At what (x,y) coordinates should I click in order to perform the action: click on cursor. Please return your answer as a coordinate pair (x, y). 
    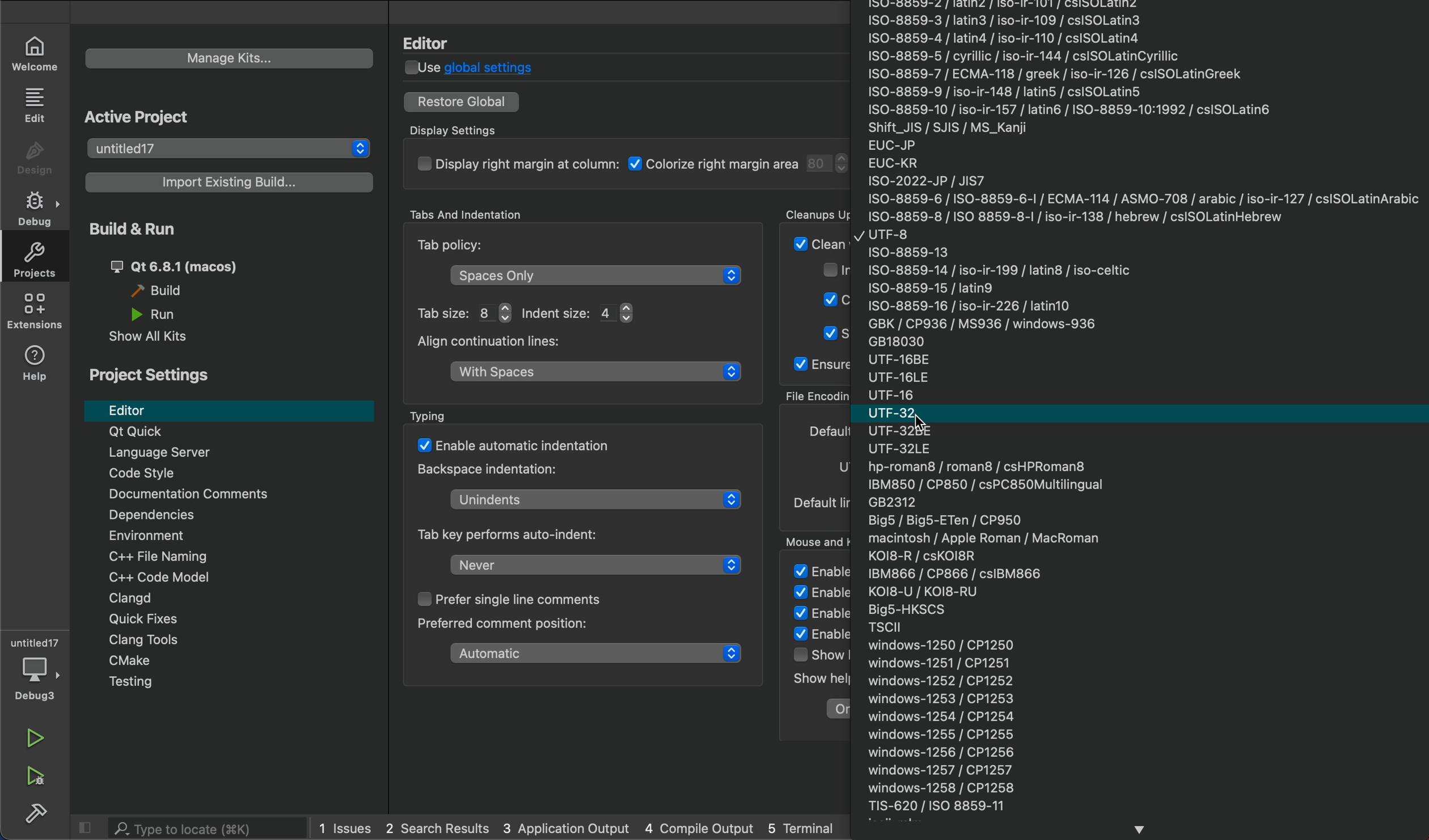
    Looking at the image, I should click on (931, 428).